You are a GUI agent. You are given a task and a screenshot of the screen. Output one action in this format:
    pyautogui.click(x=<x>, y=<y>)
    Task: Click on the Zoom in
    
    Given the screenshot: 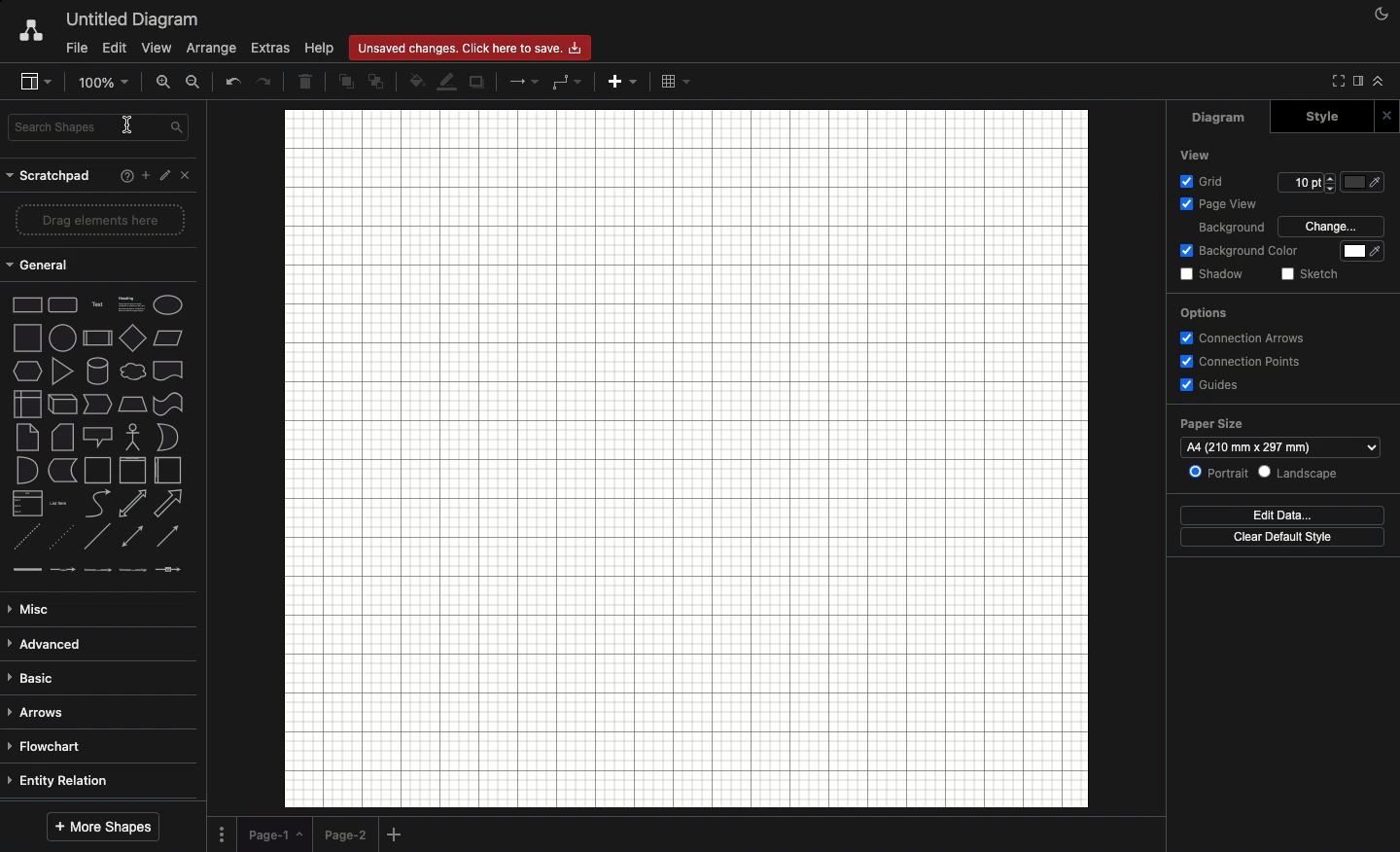 What is the action you would take?
    pyautogui.click(x=164, y=81)
    